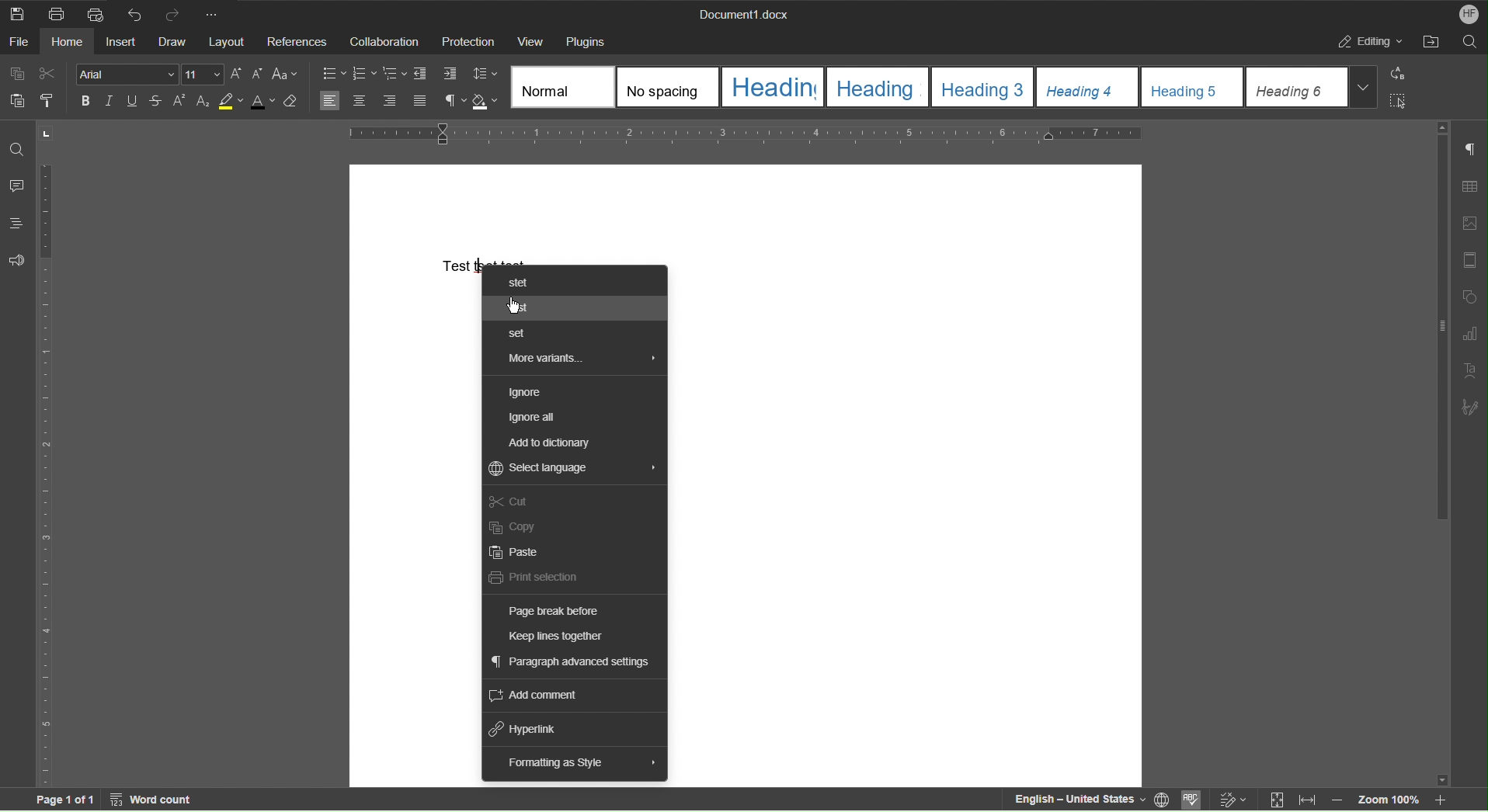 The image size is (1488, 812). What do you see at coordinates (1396, 75) in the screenshot?
I see `Replace` at bounding box center [1396, 75].